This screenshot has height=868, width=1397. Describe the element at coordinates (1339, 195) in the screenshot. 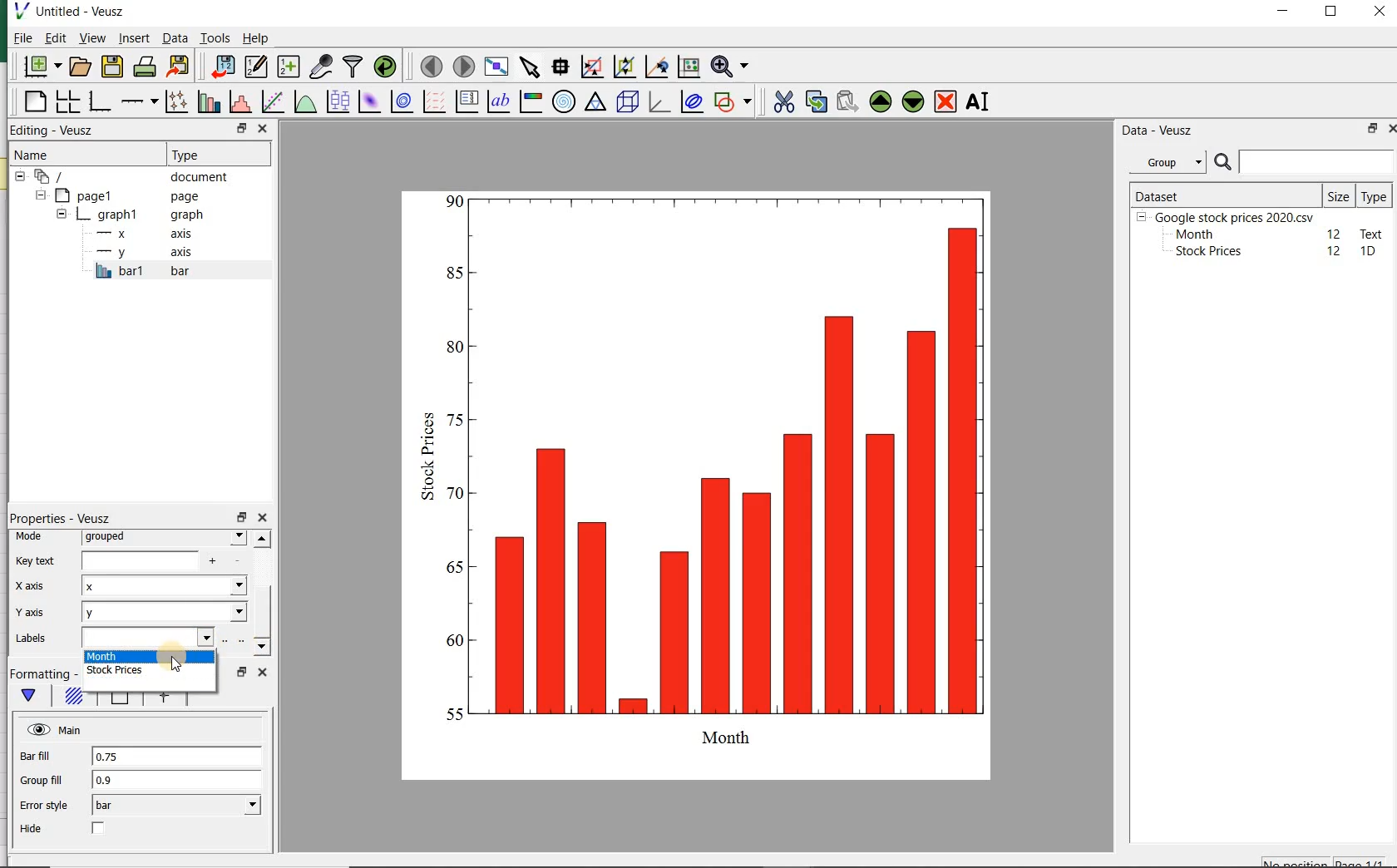

I see `Size` at that location.